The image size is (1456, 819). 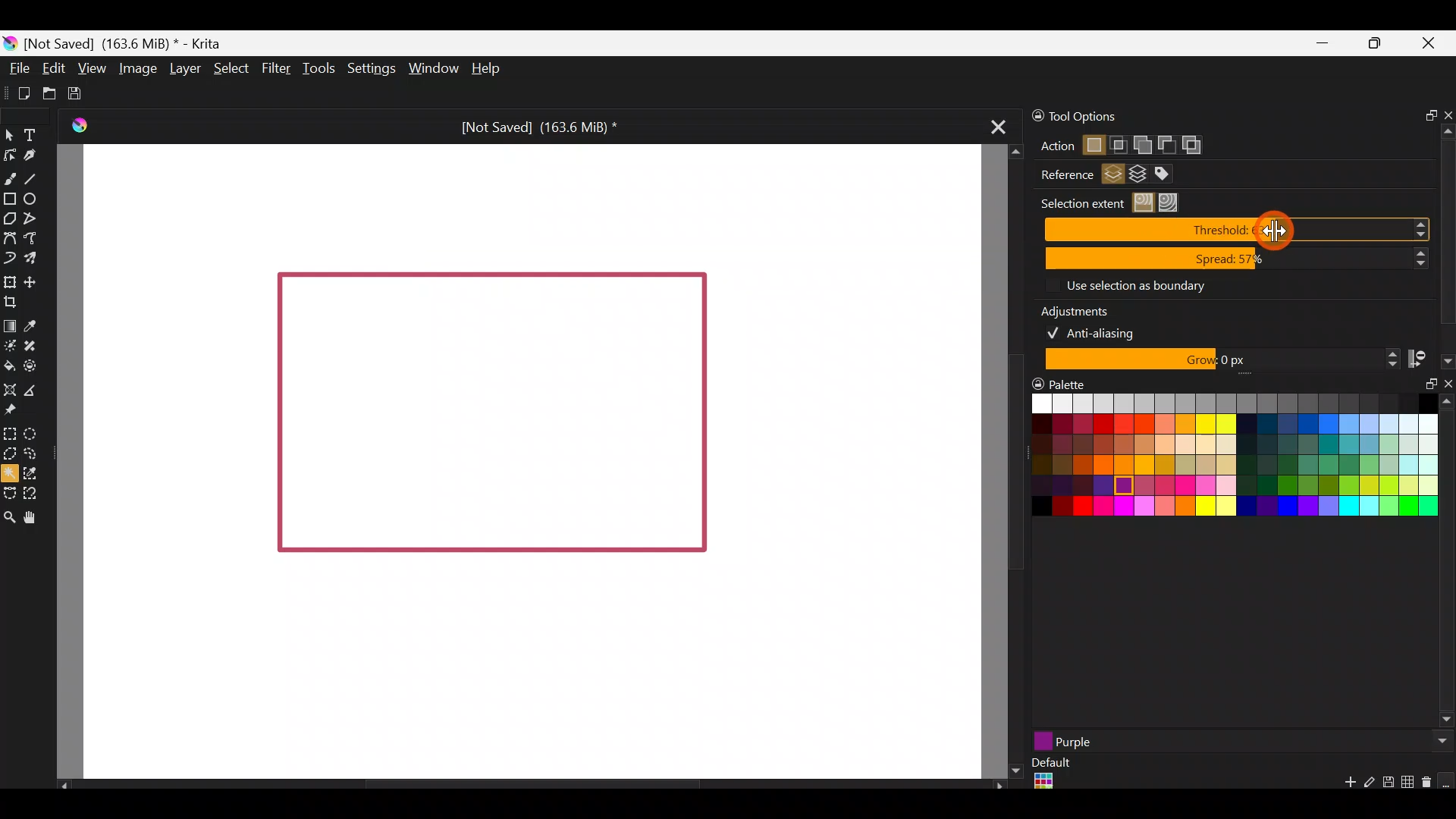 What do you see at coordinates (36, 281) in the screenshot?
I see `Move a layer` at bounding box center [36, 281].